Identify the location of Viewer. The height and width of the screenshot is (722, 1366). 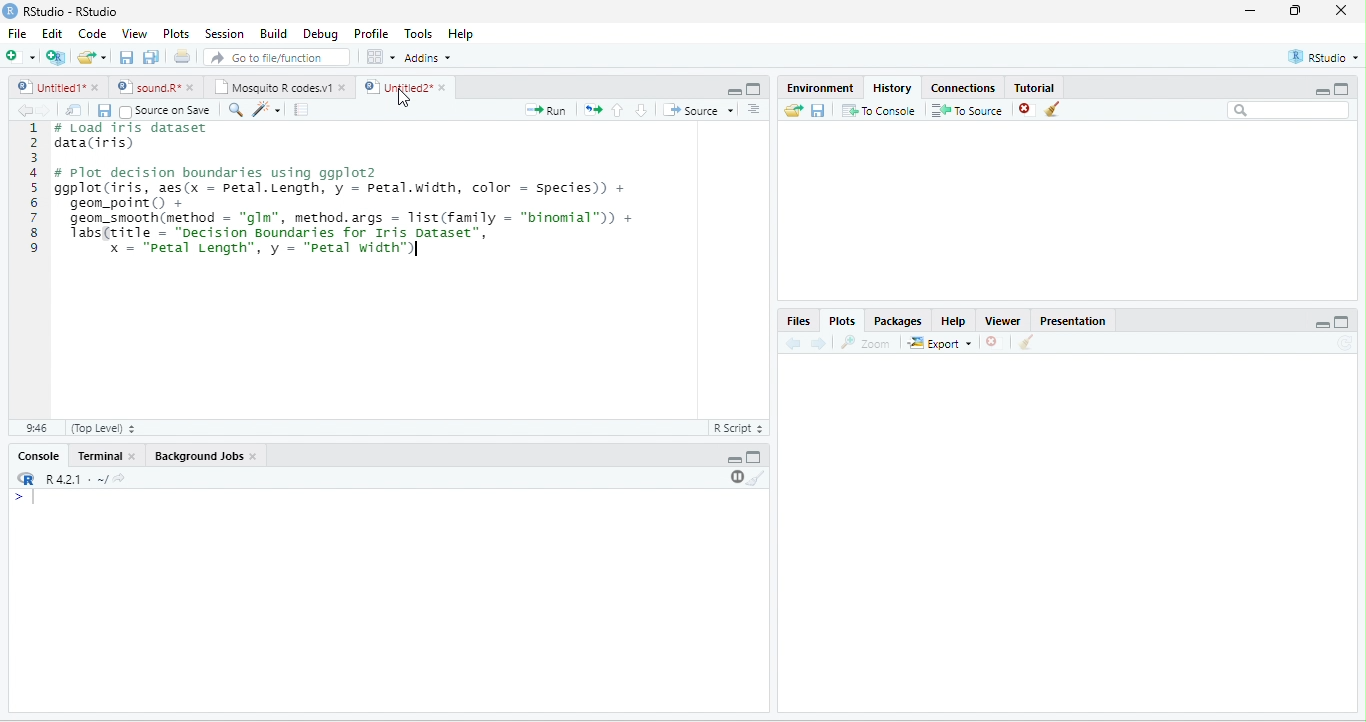
(1003, 321).